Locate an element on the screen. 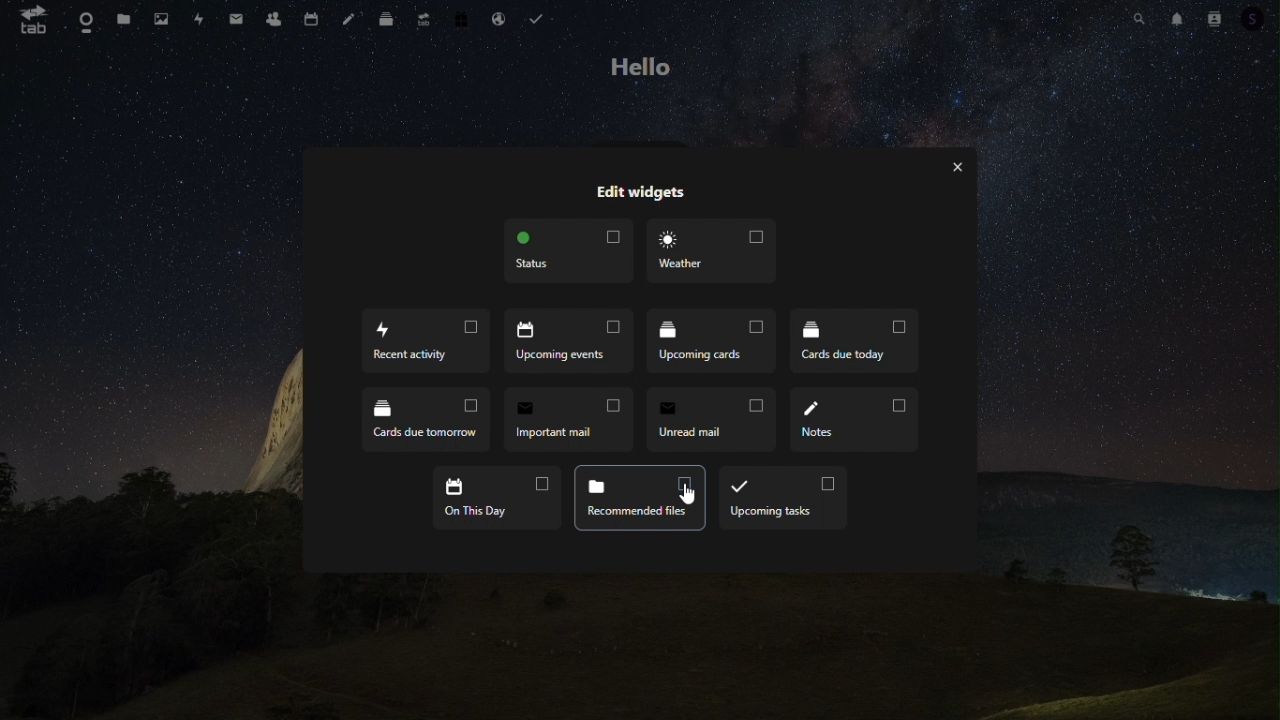 Image resolution: width=1280 pixels, height=720 pixels. notifications is located at coordinates (1178, 20).